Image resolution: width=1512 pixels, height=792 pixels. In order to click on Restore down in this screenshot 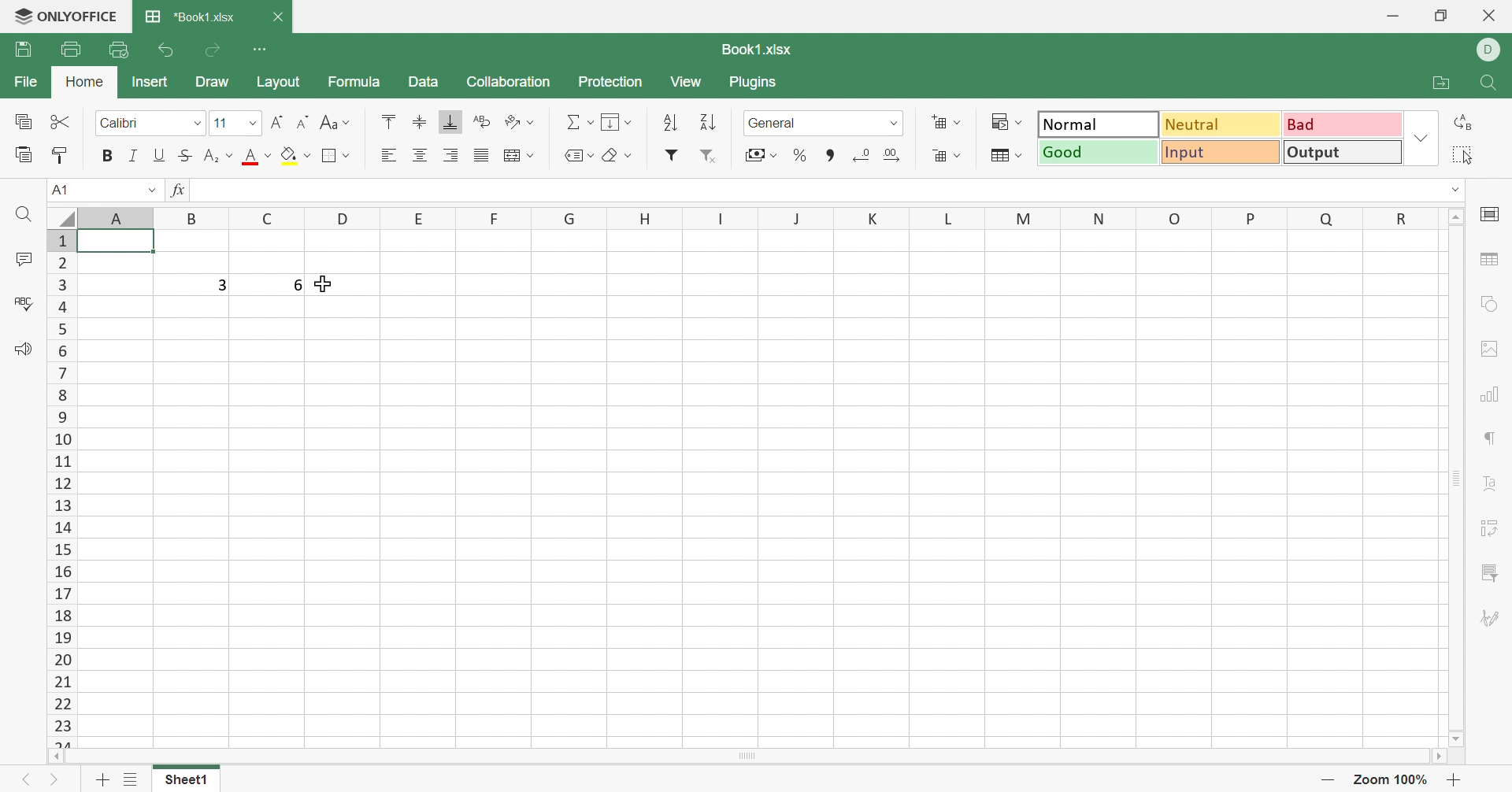, I will do `click(1446, 15)`.